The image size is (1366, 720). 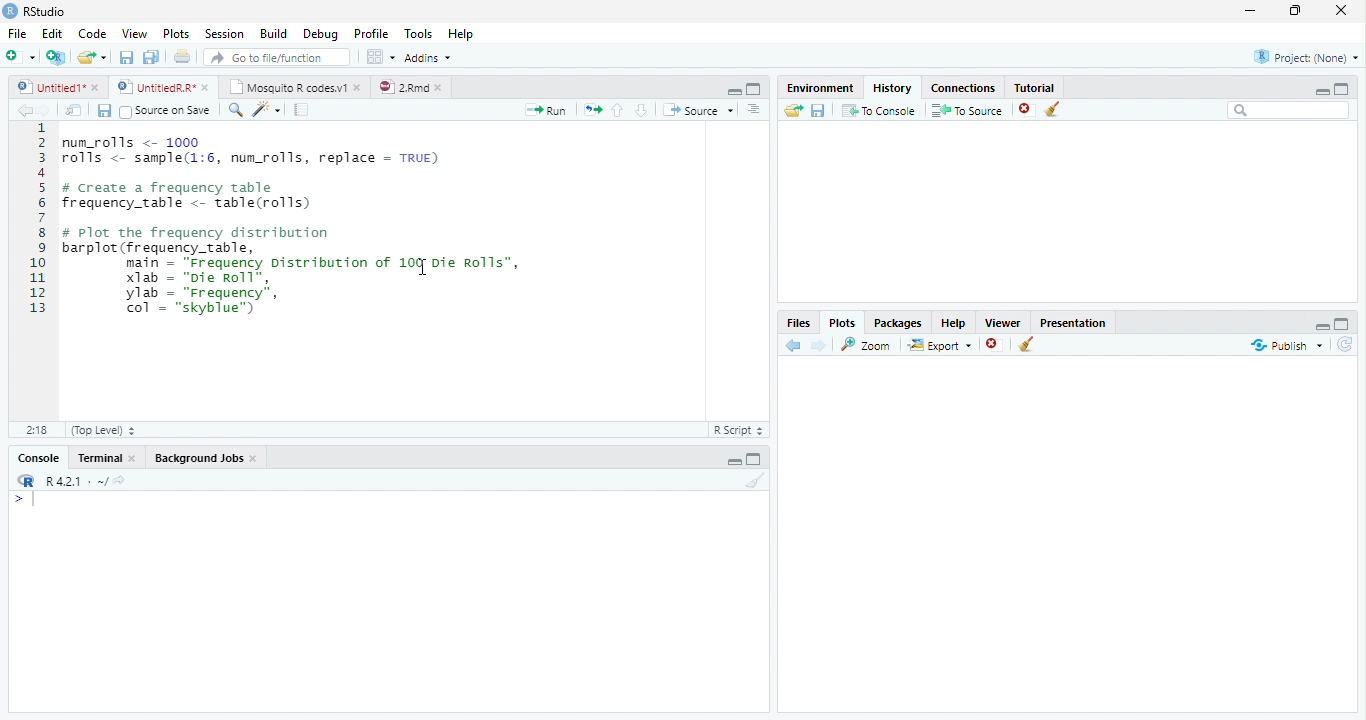 What do you see at coordinates (893, 86) in the screenshot?
I see `History` at bounding box center [893, 86].